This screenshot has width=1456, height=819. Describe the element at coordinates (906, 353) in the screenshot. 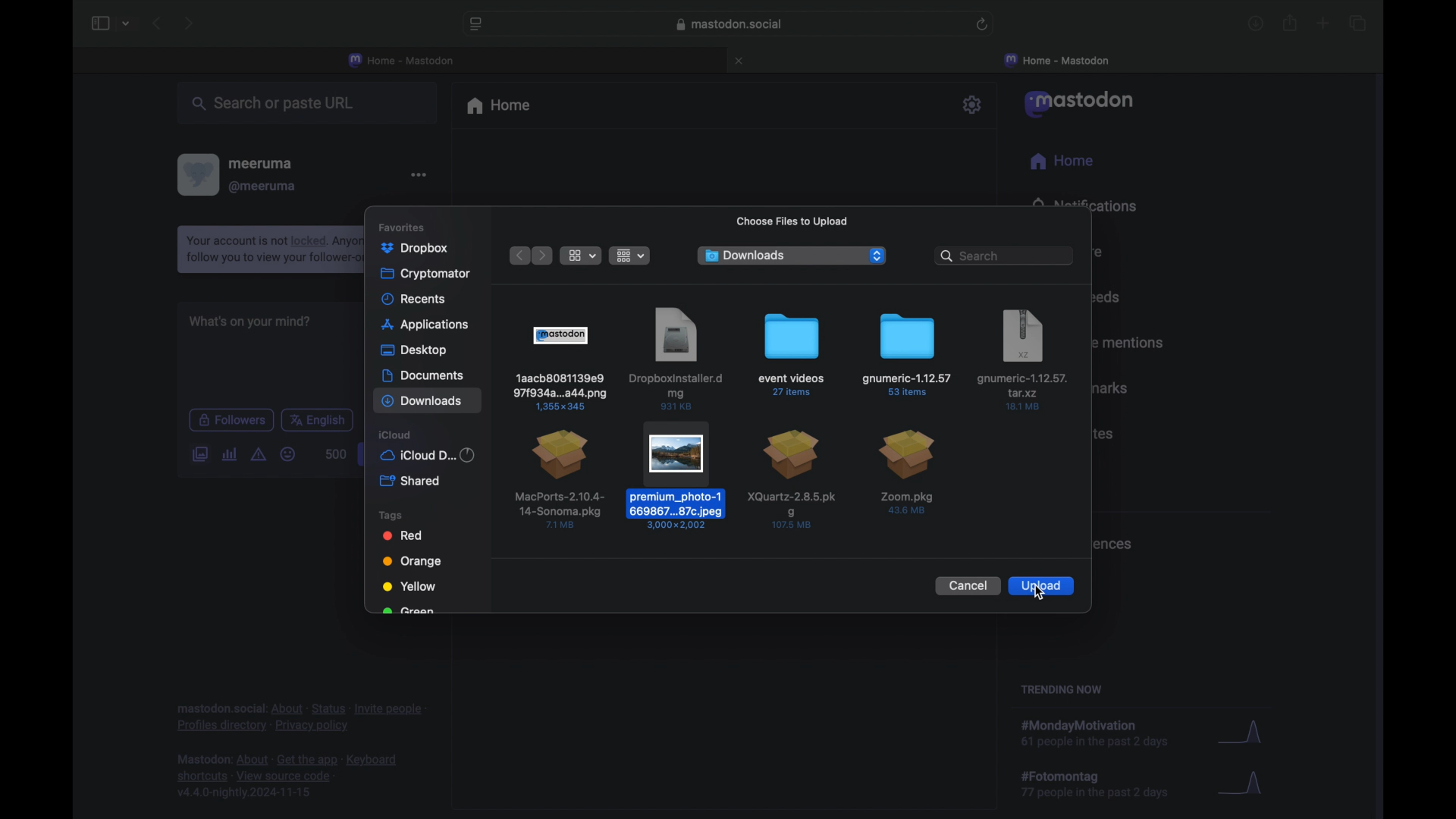

I see `folder` at that location.